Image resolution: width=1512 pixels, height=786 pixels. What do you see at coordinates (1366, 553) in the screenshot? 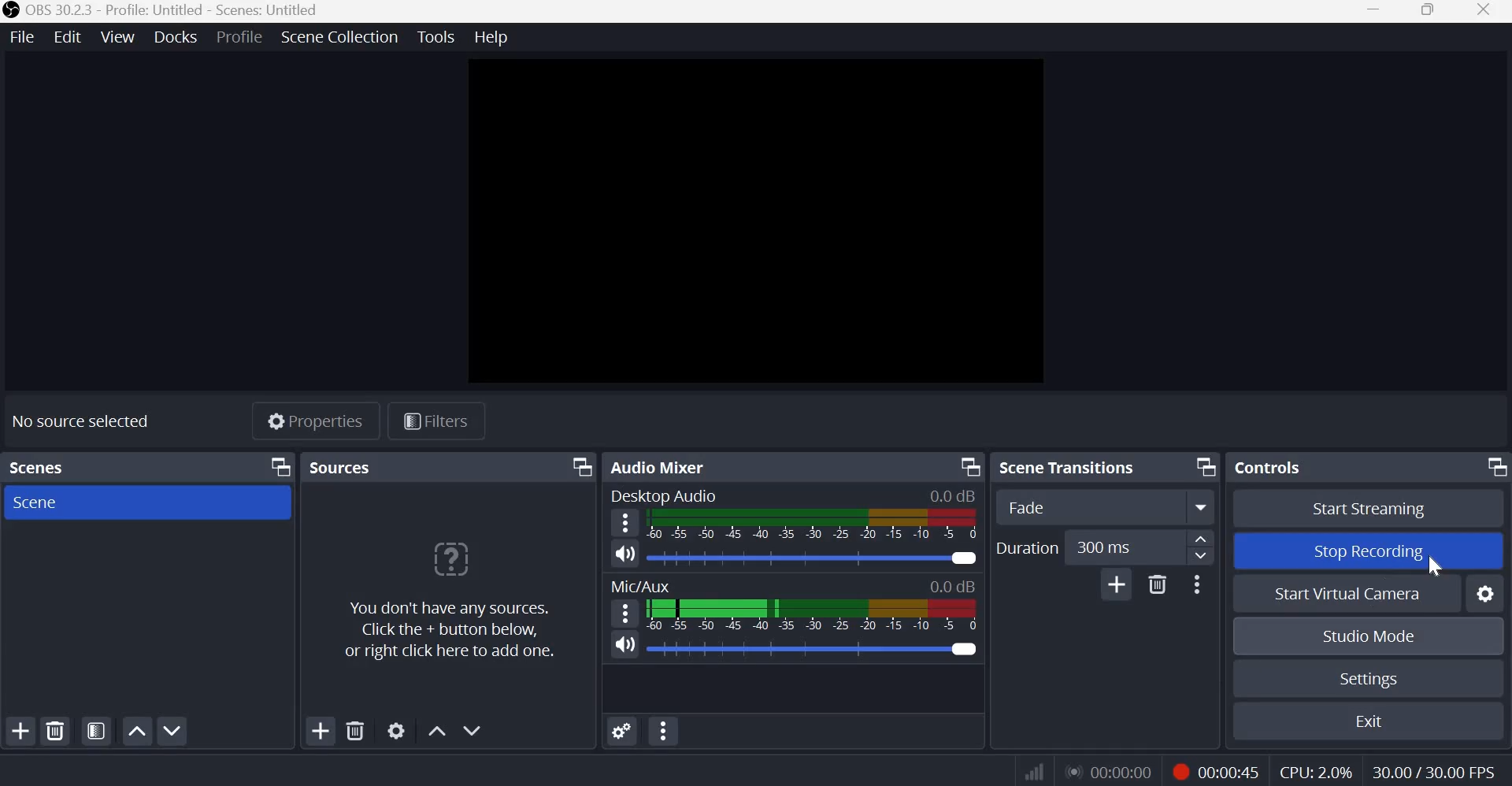
I see `Stop recording` at bounding box center [1366, 553].